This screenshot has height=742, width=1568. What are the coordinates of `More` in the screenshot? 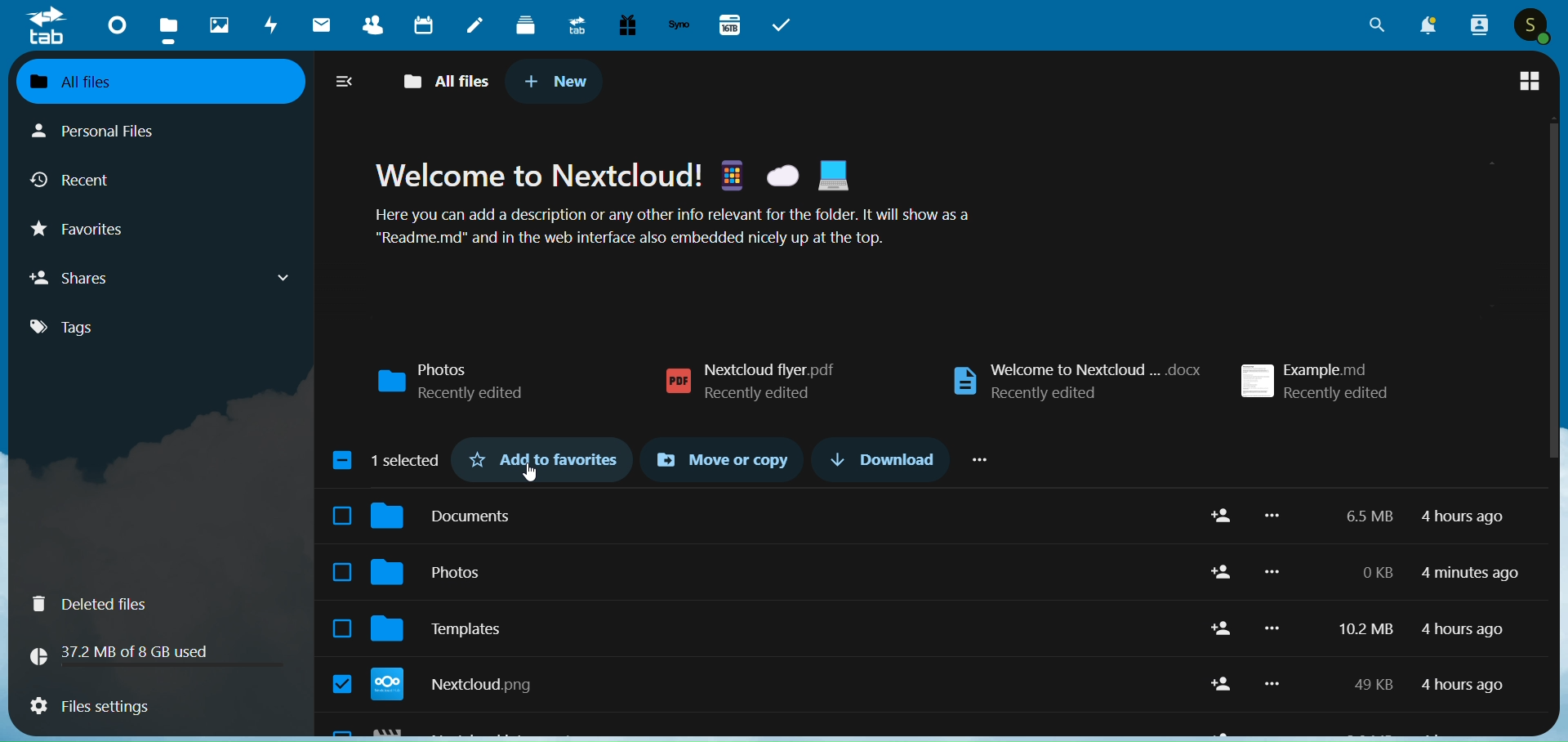 It's located at (1272, 515).